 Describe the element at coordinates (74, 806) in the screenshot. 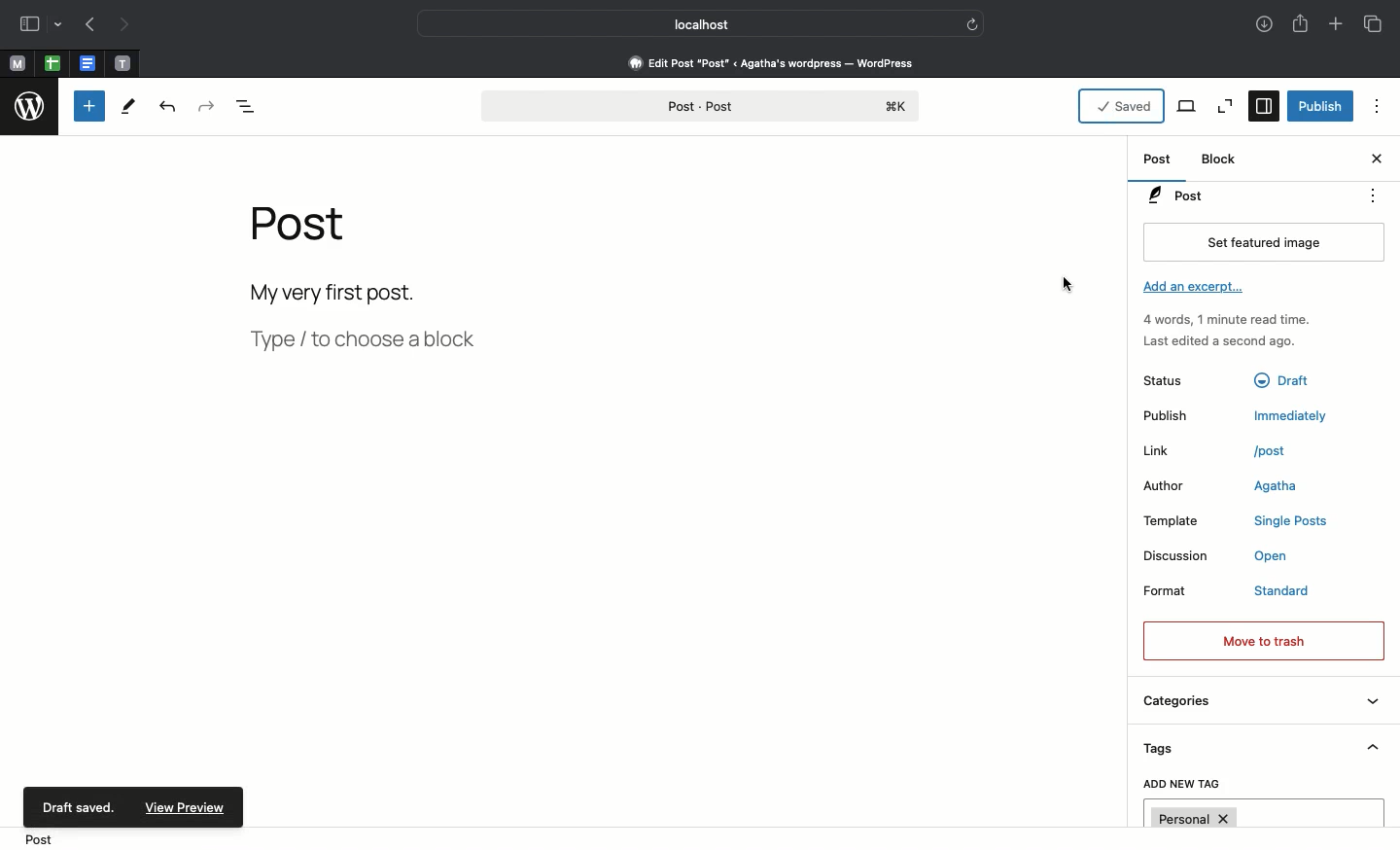

I see `Draft saved` at that location.